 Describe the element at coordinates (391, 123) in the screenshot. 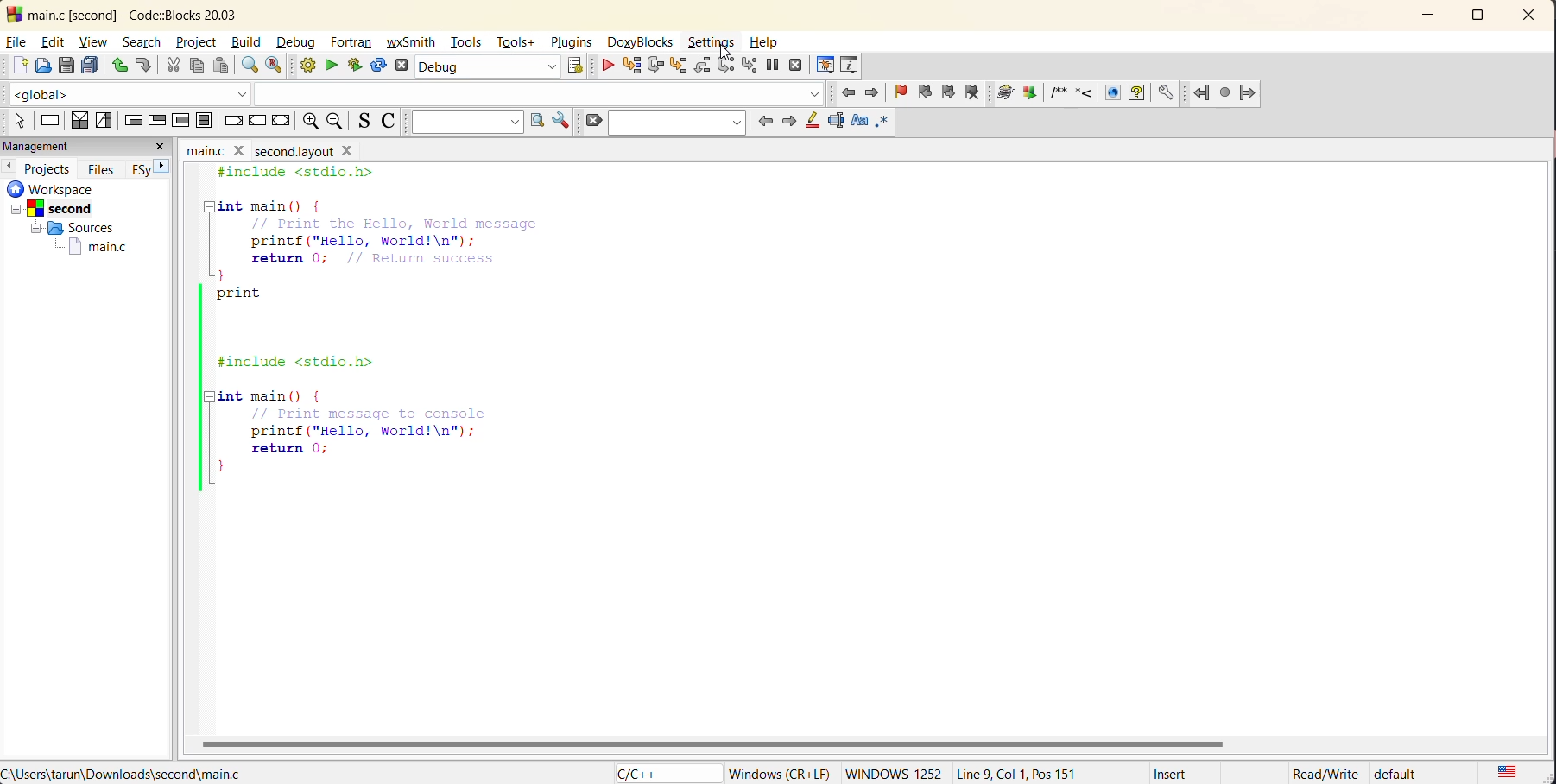

I see `toggle comments` at that location.